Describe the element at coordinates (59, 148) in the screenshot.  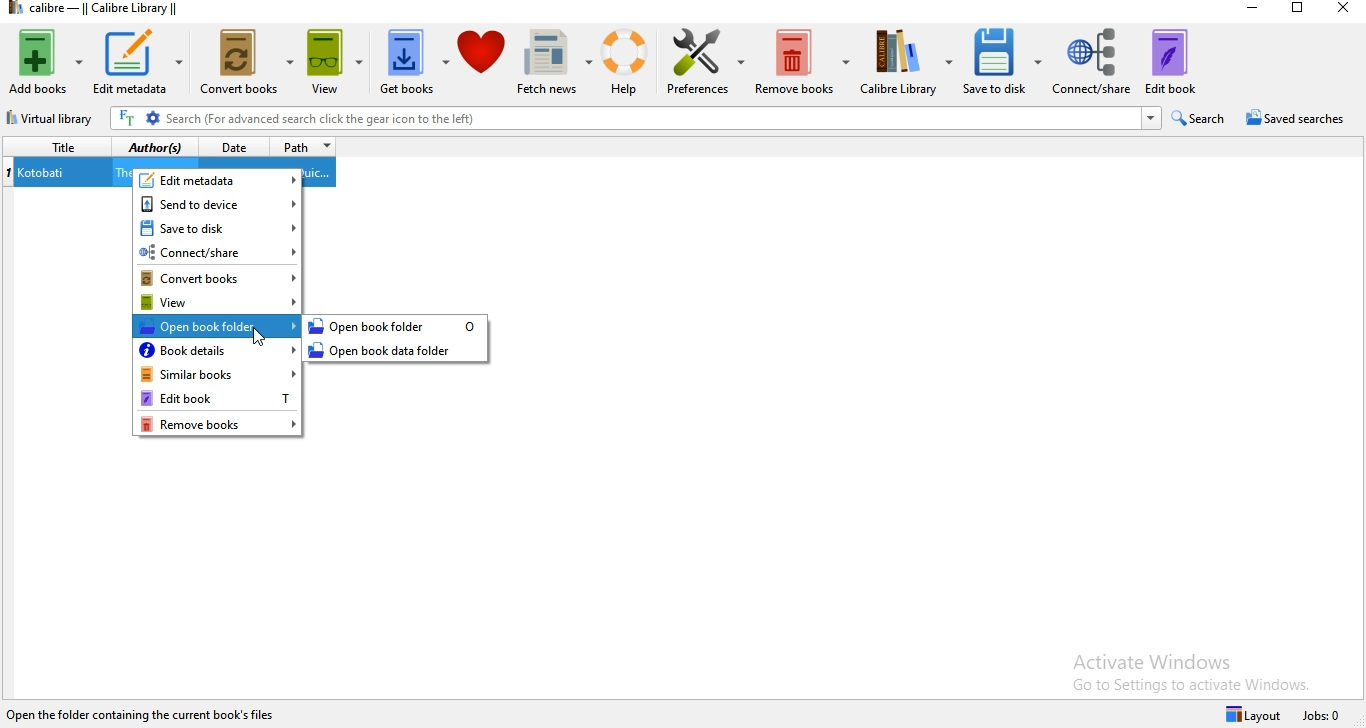
I see `title` at that location.